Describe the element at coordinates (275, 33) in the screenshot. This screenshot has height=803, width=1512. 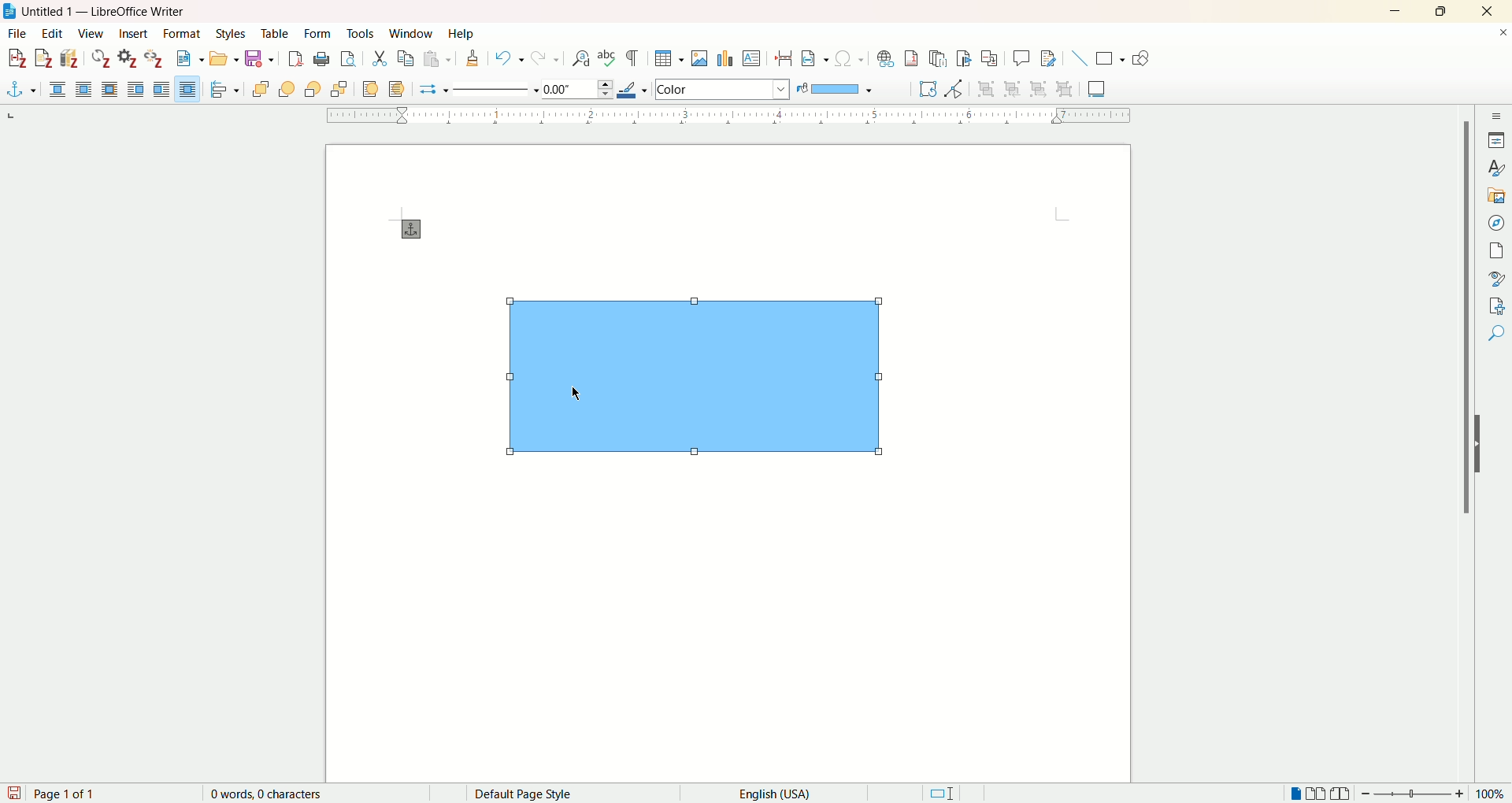
I see `table` at that location.